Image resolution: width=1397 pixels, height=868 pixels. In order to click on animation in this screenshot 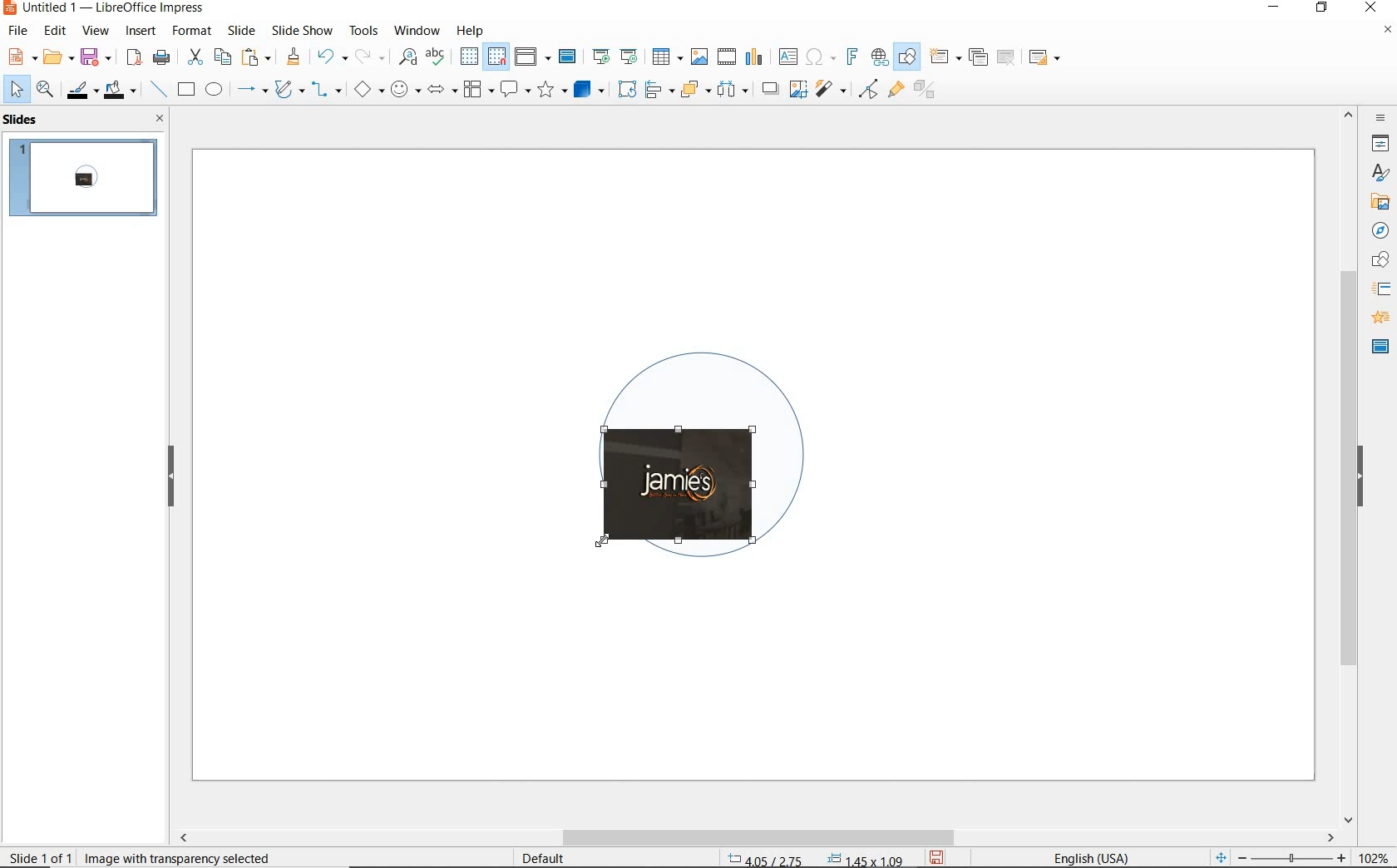, I will do `click(1378, 318)`.